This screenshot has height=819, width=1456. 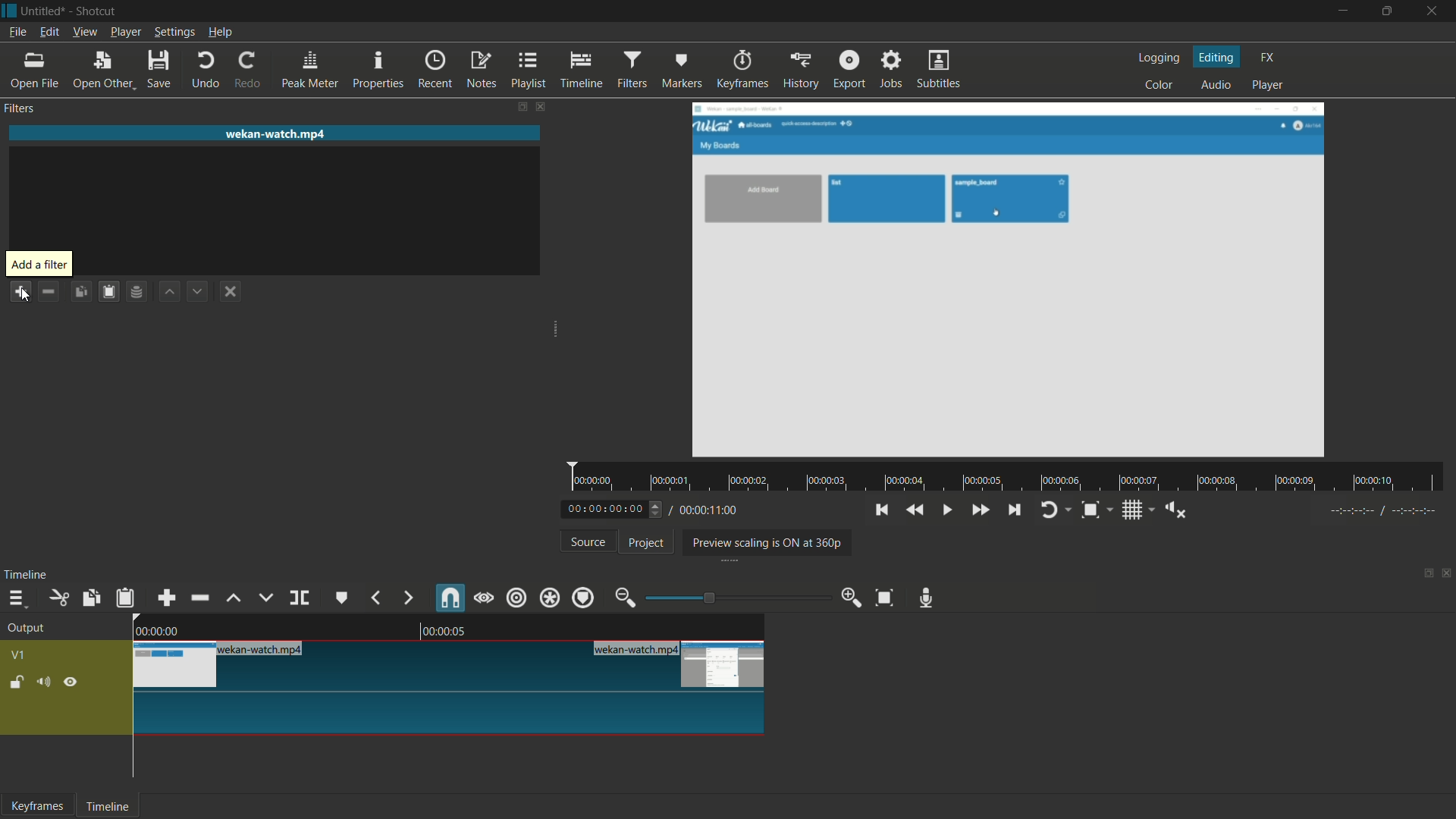 I want to click on markers, so click(x=682, y=69).